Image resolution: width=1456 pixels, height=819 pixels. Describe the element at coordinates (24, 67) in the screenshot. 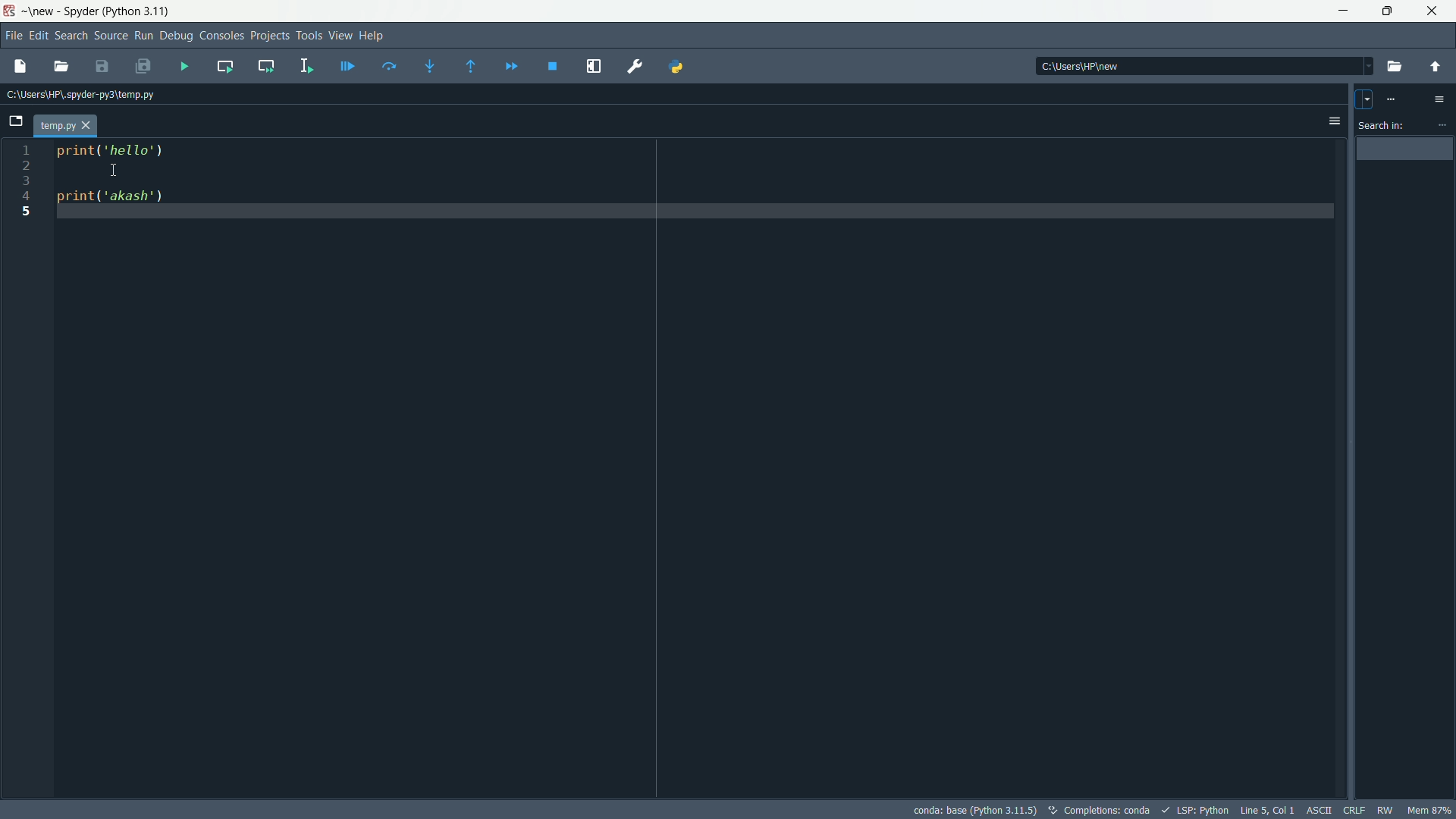

I see `new file` at that location.